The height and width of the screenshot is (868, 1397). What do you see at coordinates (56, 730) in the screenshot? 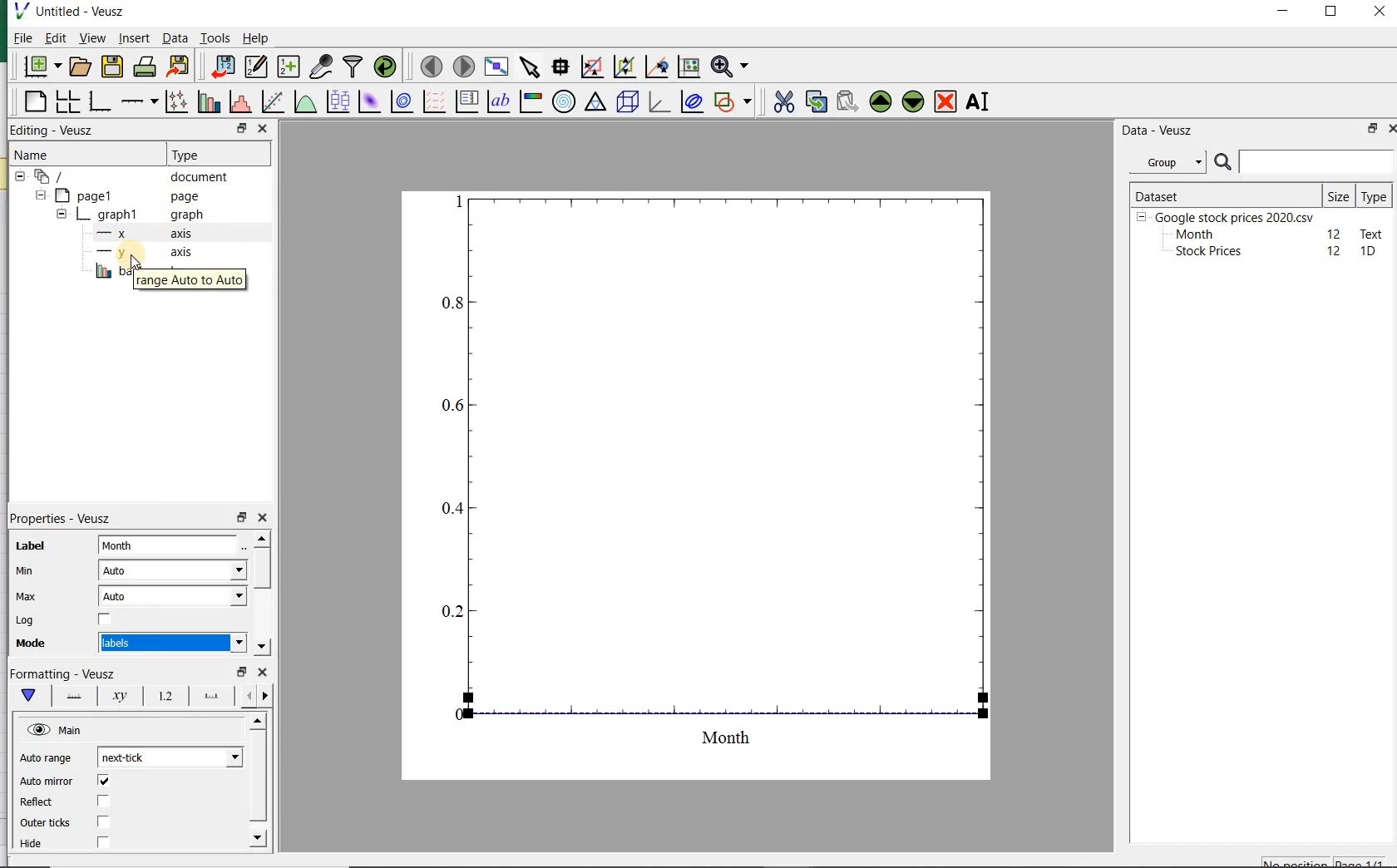
I see `Main` at bounding box center [56, 730].